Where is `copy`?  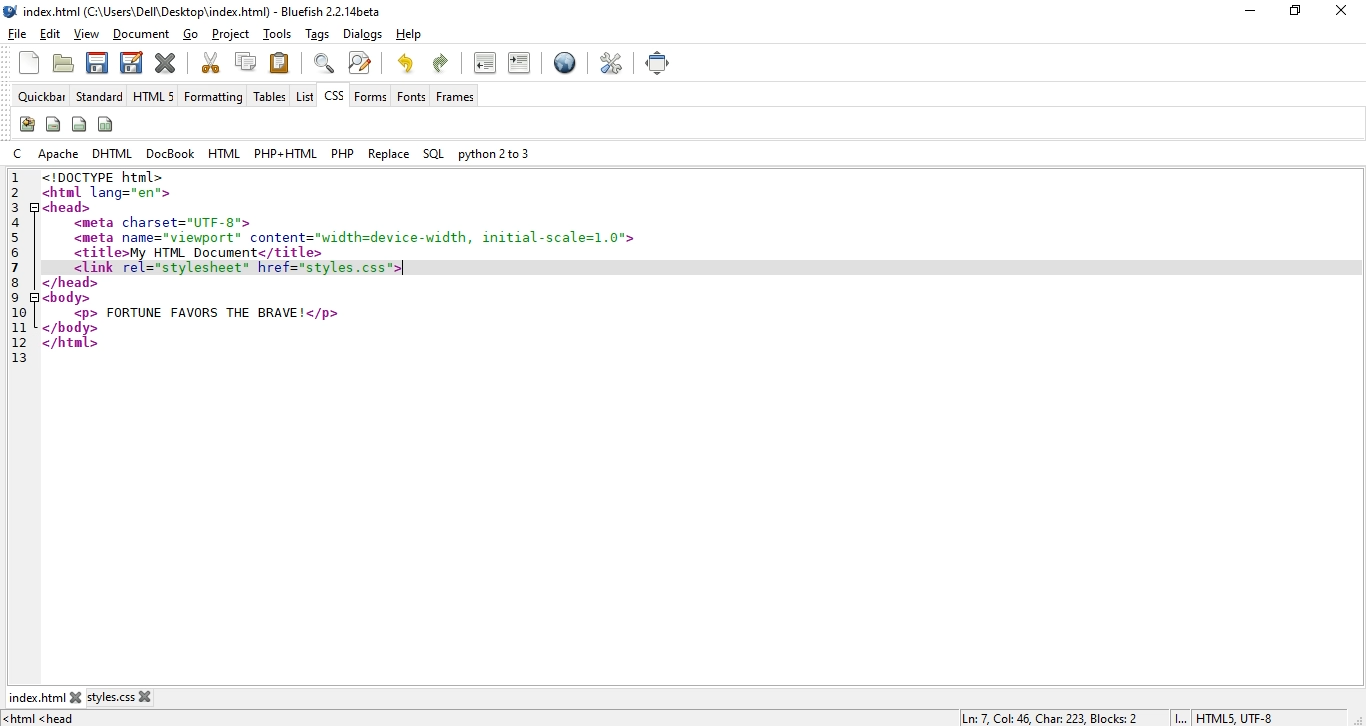 copy is located at coordinates (246, 61).